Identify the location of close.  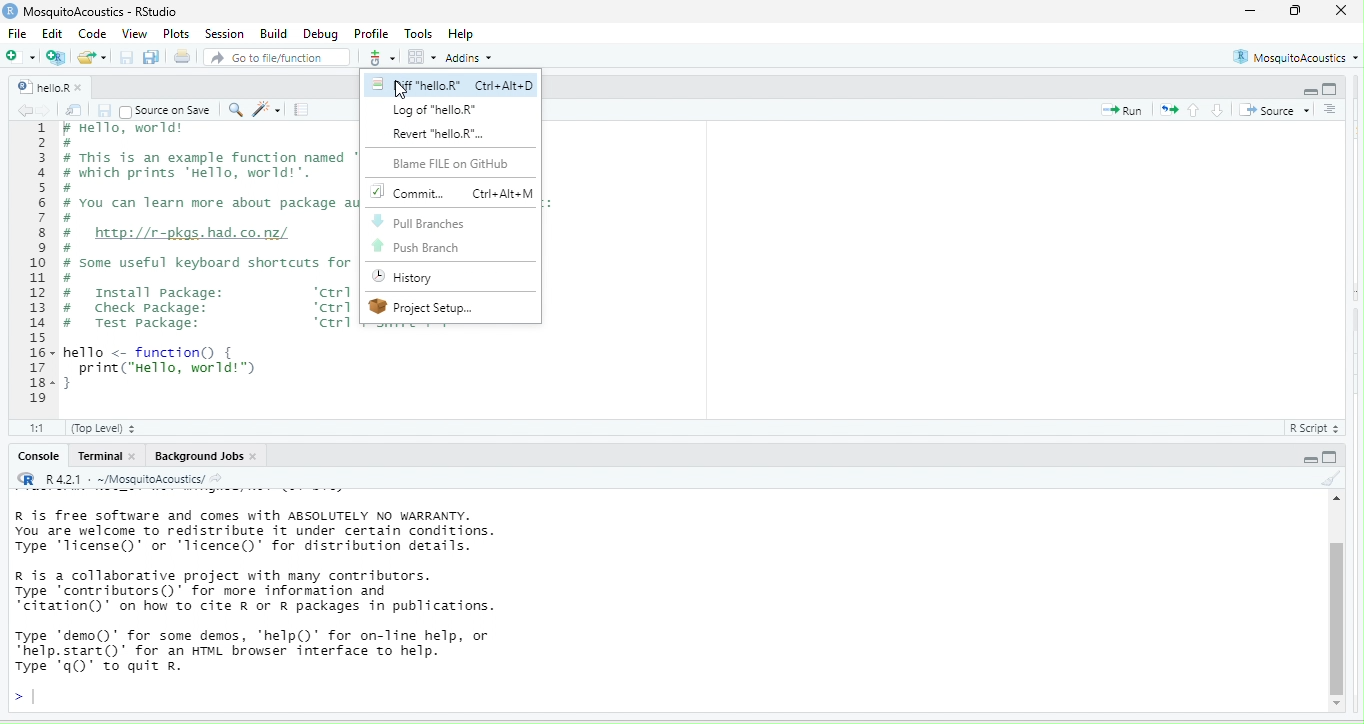
(135, 456).